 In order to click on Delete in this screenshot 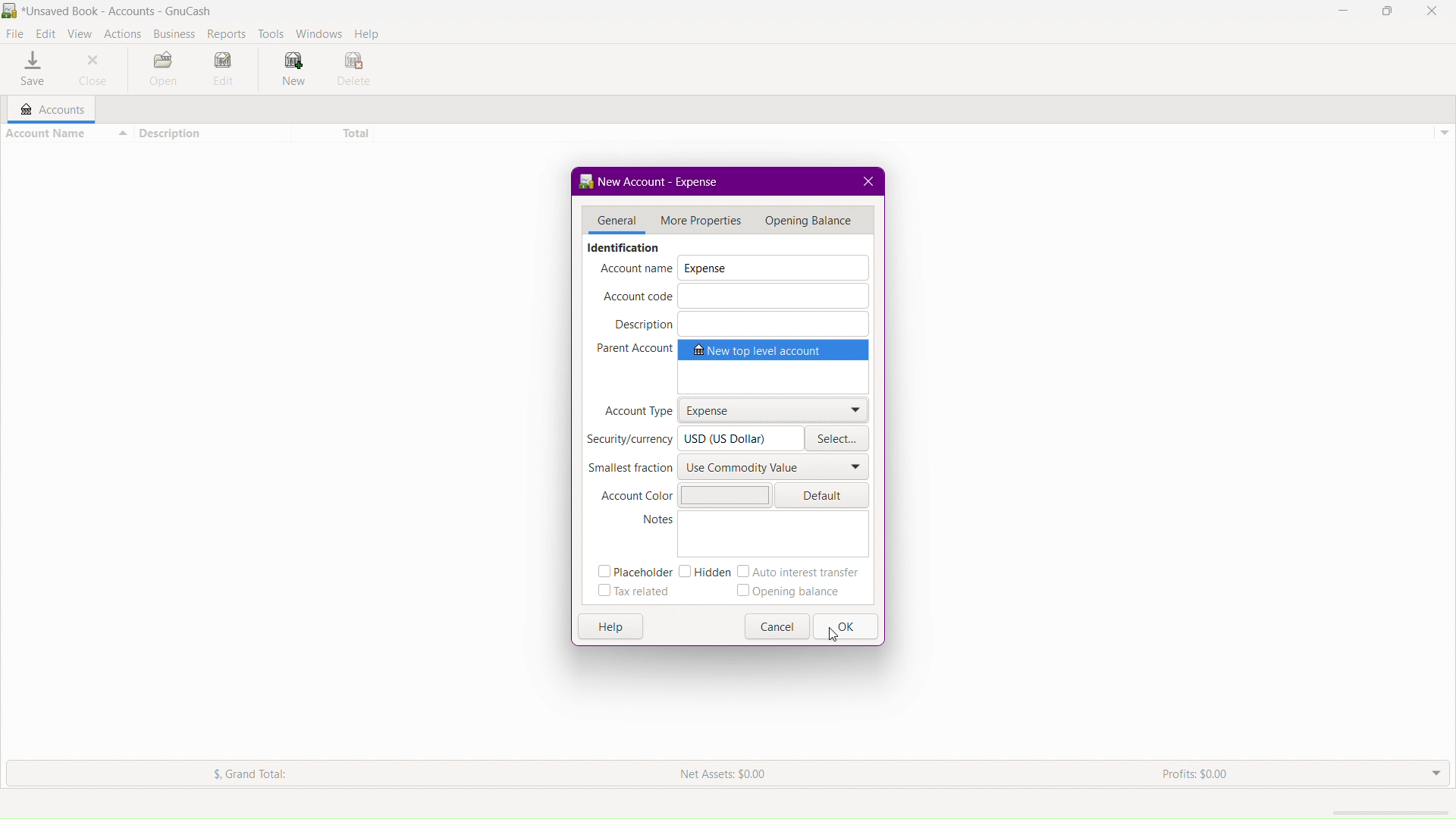, I will do `click(354, 71)`.